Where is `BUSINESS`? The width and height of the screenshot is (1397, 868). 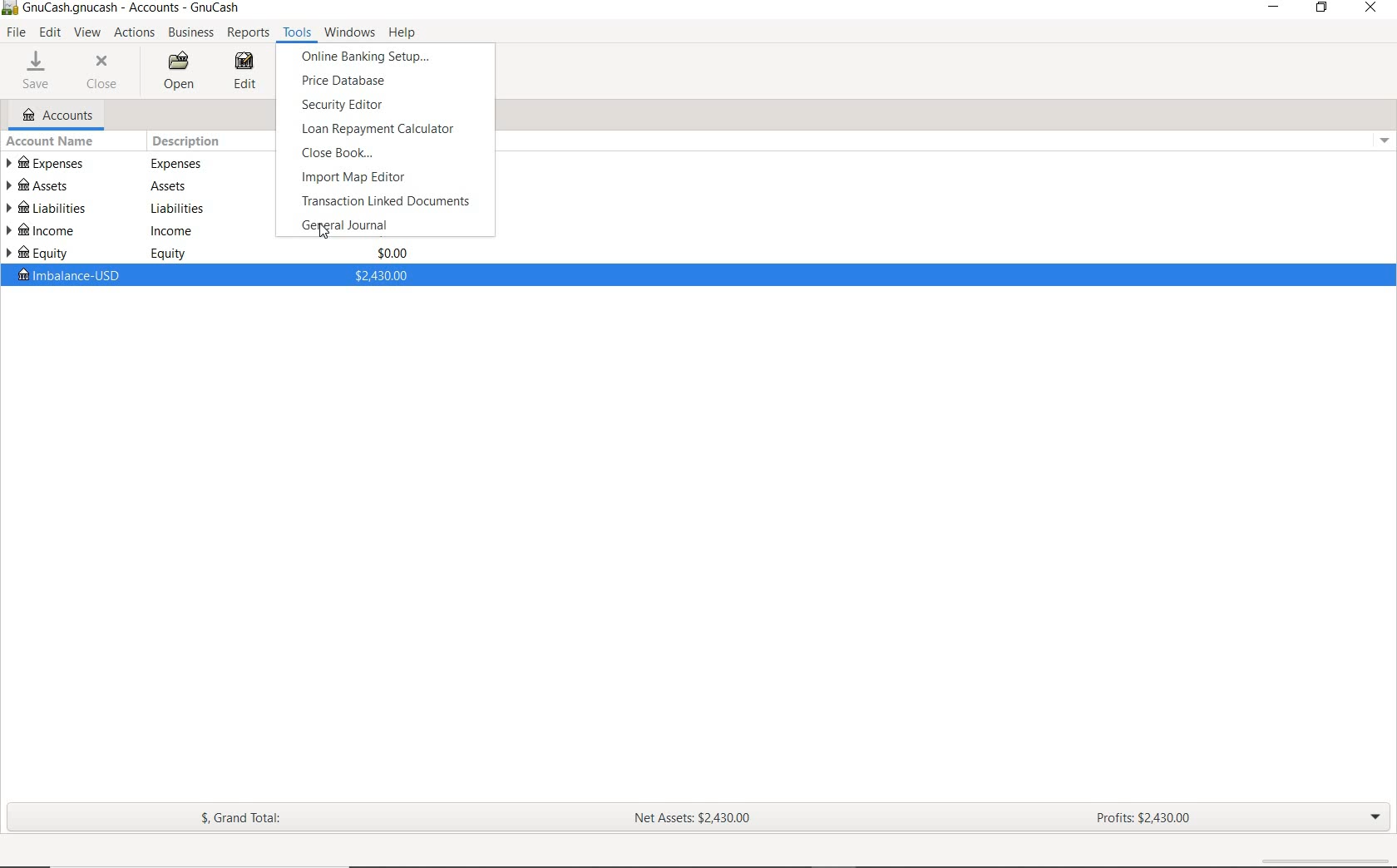 BUSINESS is located at coordinates (190, 32).